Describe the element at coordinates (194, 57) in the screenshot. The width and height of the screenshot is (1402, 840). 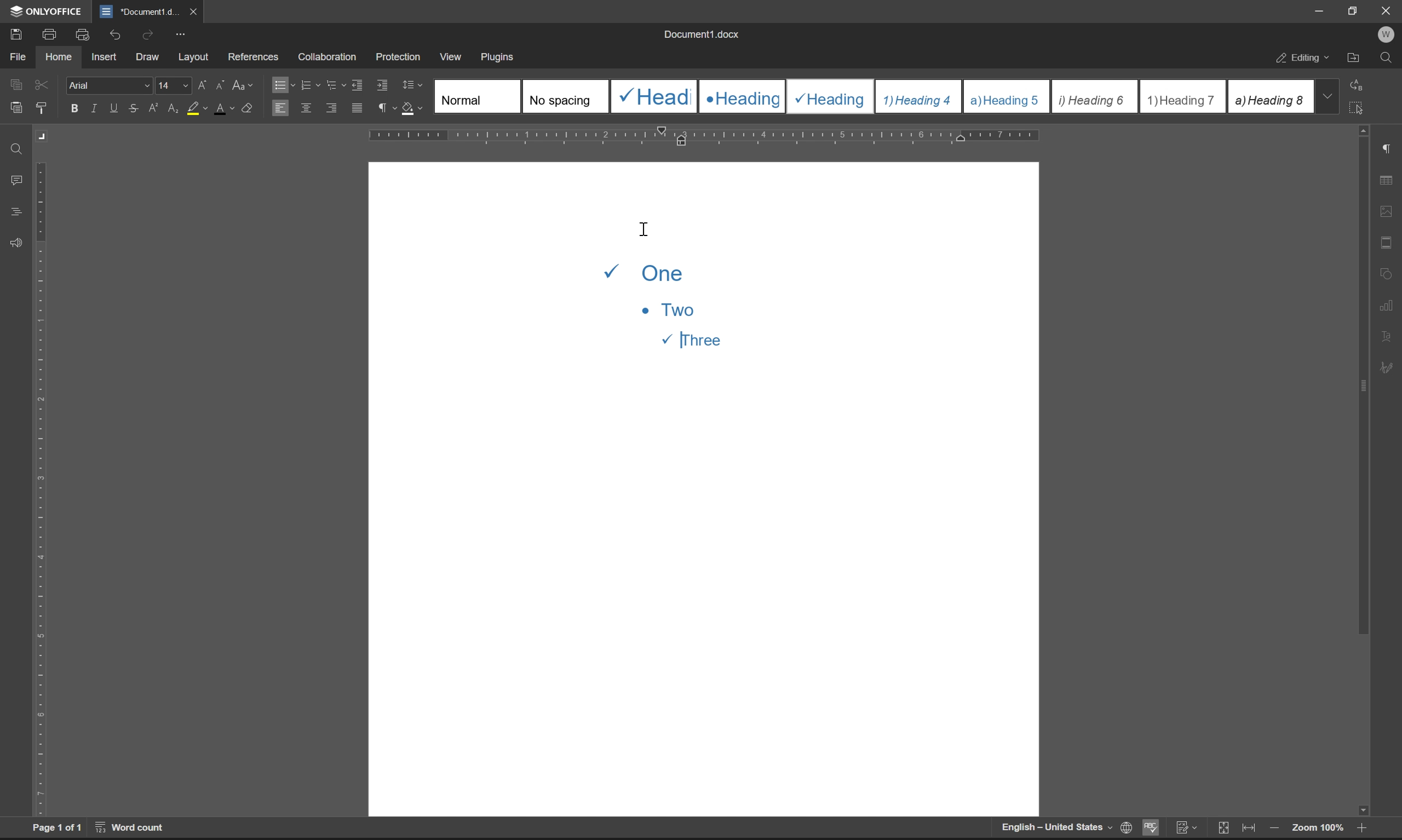
I see `layout` at that location.